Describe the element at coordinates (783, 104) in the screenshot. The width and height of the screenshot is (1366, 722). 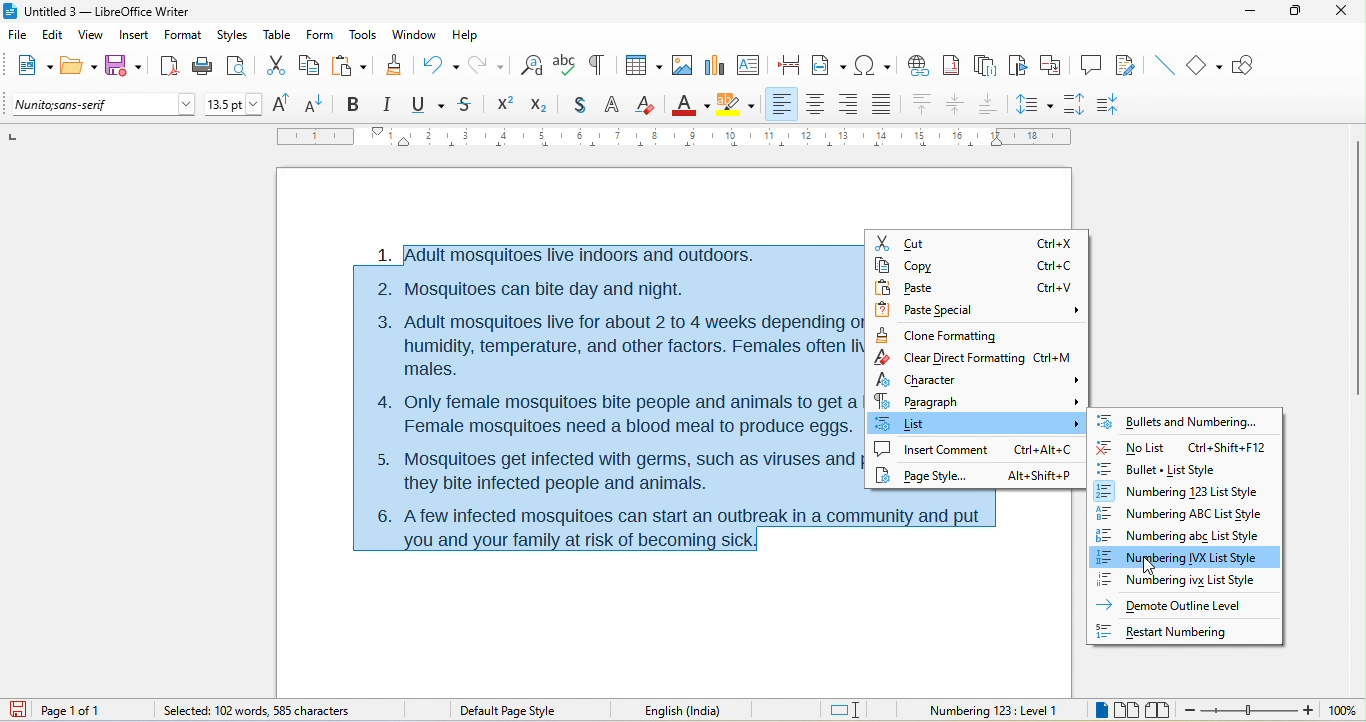
I see `align left` at that location.